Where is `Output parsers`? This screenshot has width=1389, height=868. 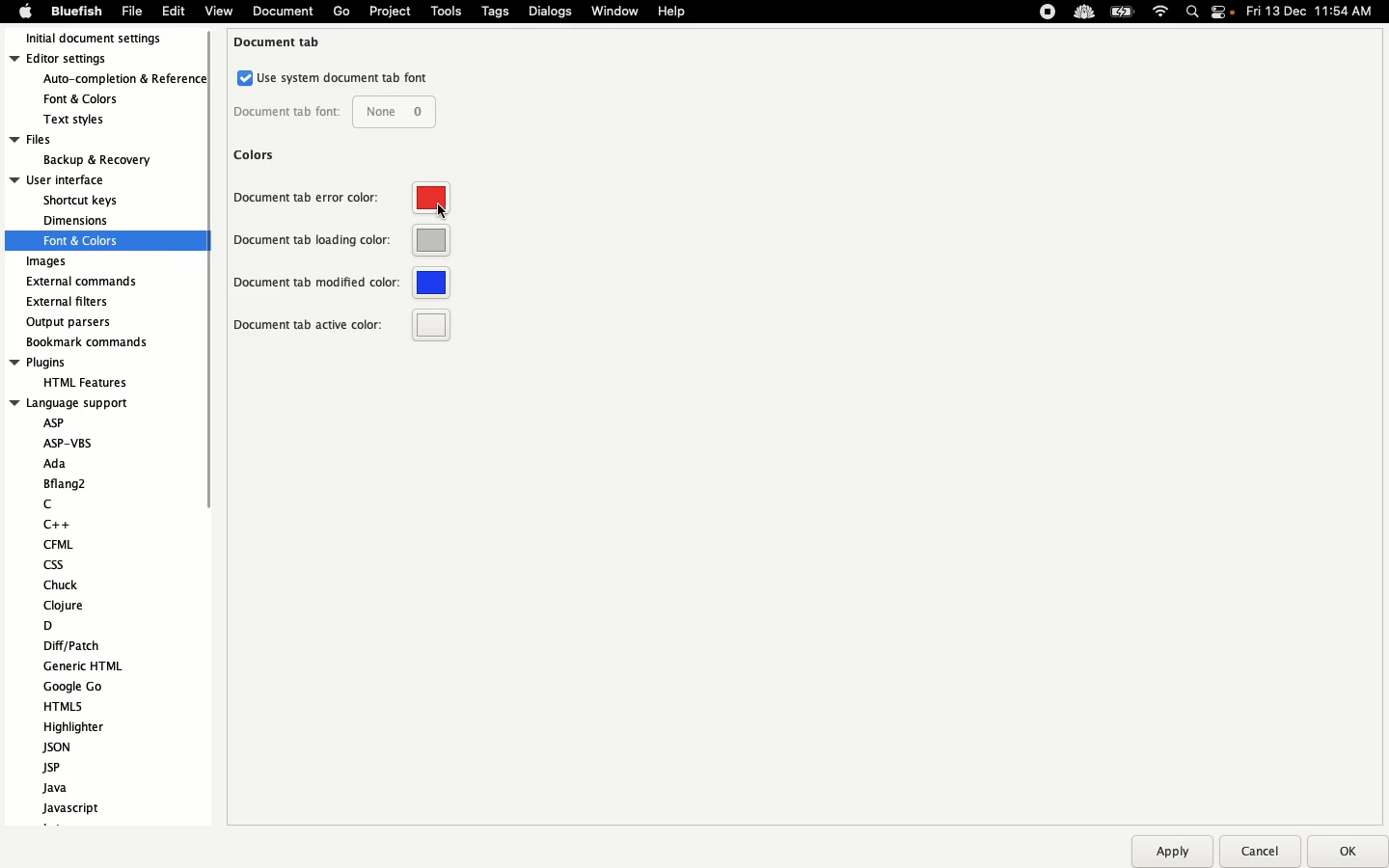 Output parsers is located at coordinates (73, 322).